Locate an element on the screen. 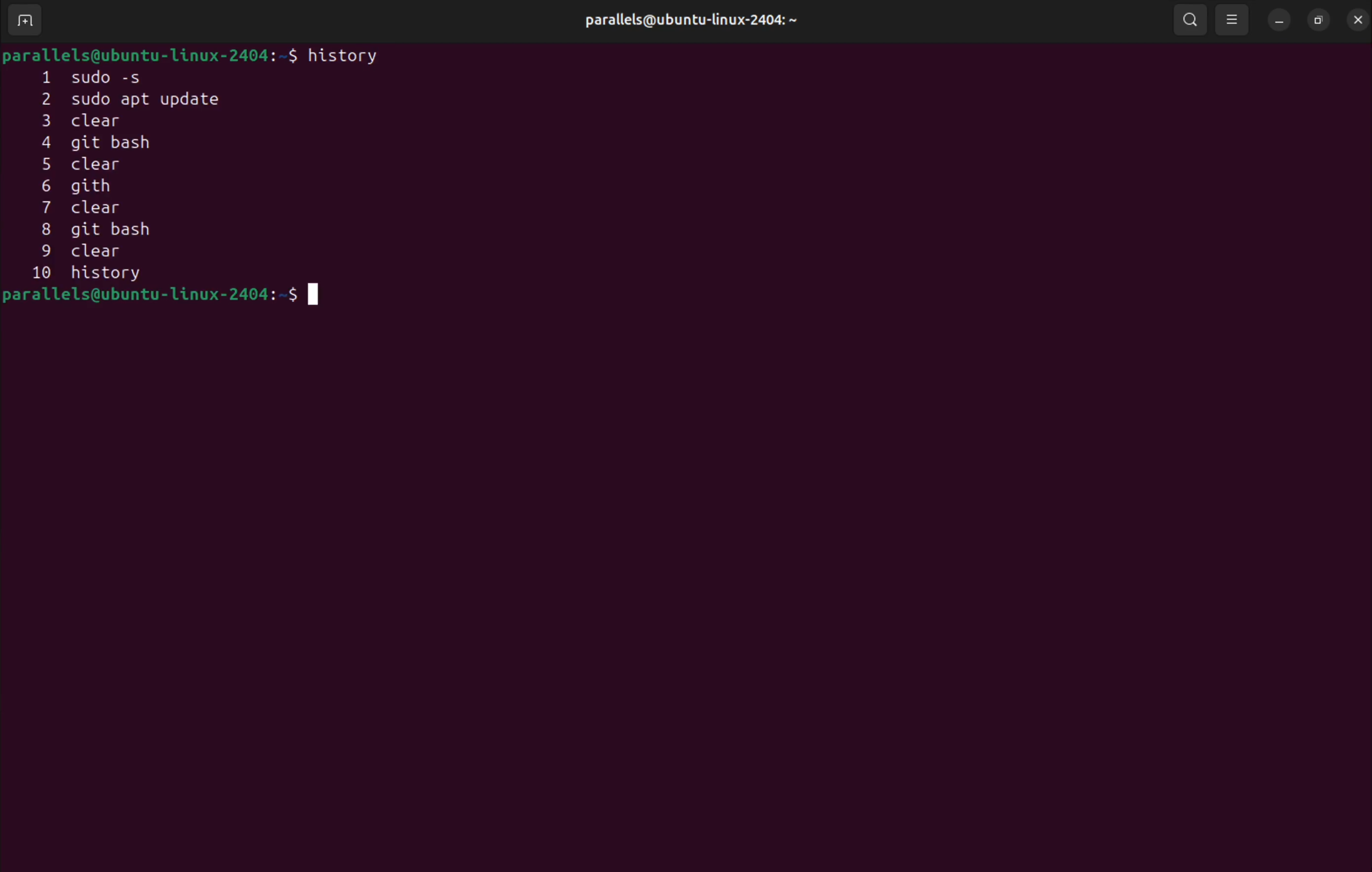 The width and height of the screenshot is (1372, 872). 5.clear is located at coordinates (94, 166).